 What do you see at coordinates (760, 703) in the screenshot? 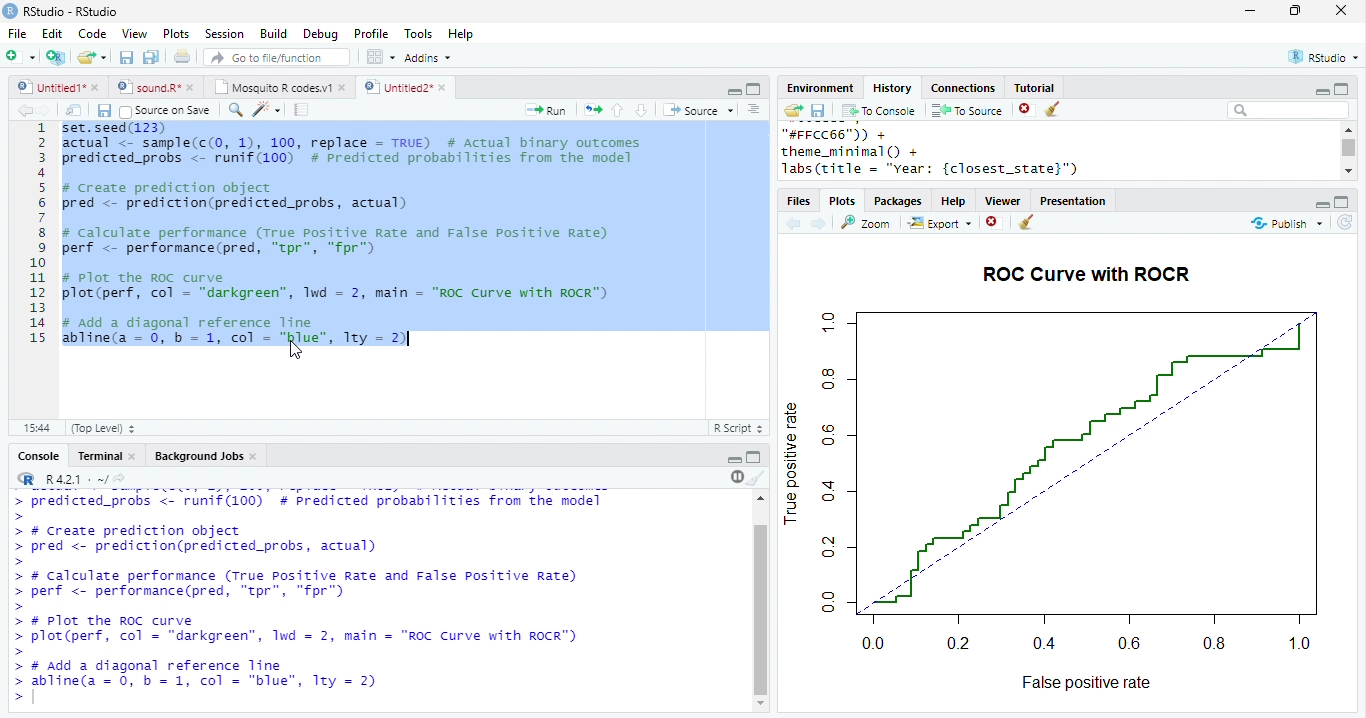
I see `scroll down` at bounding box center [760, 703].